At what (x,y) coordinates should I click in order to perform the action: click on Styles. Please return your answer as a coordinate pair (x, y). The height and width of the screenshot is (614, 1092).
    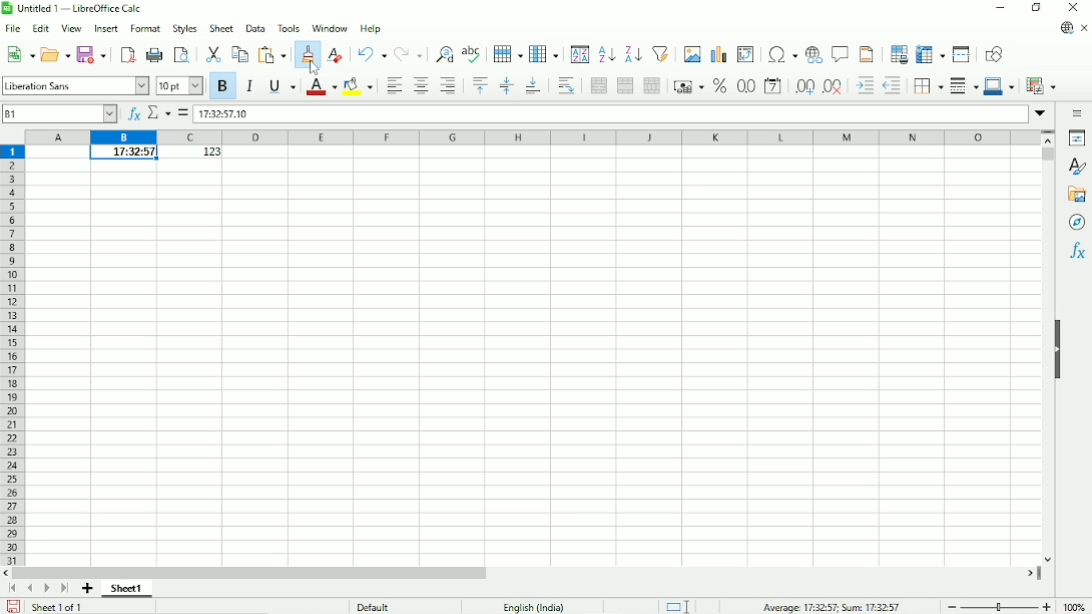
    Looking at the image, I should click on (185, 29).